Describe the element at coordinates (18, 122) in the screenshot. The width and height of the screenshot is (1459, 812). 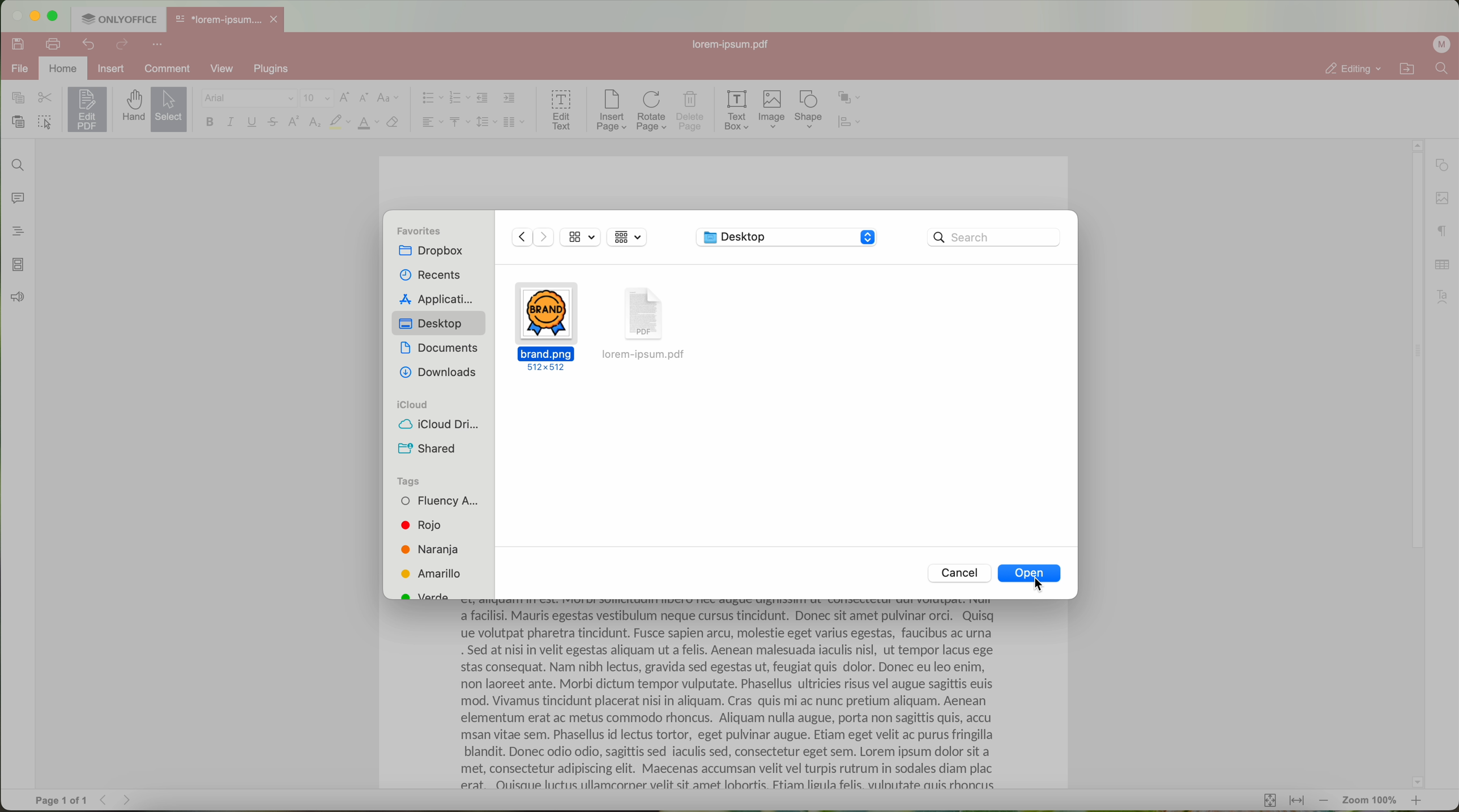
I see `paste` at that location.